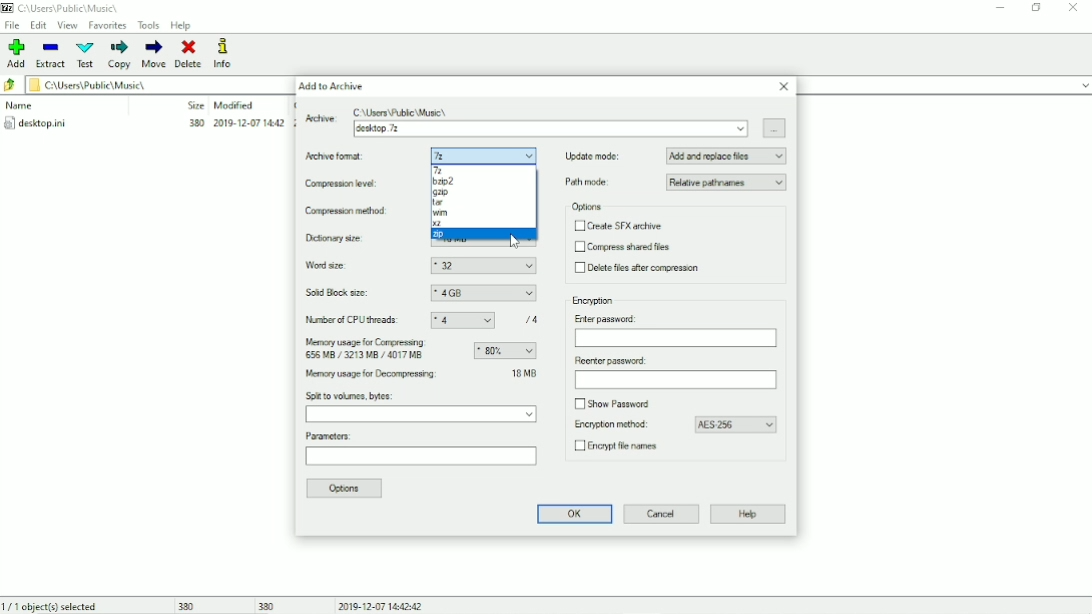 The width and height of the screenshot is (1092, 614). Describe the element at coordinates (662, 513) in the screenshot. I see `Cancel` at that location.